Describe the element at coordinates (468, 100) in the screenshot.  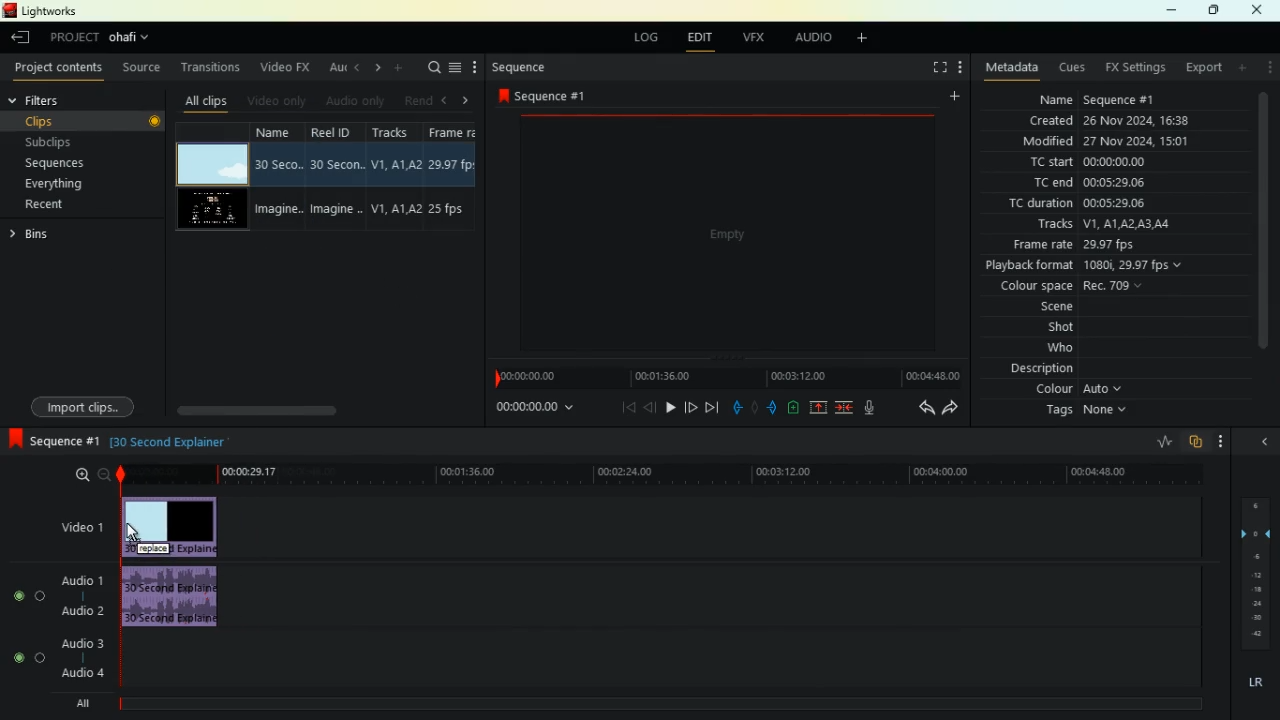
I see `right` at that location.